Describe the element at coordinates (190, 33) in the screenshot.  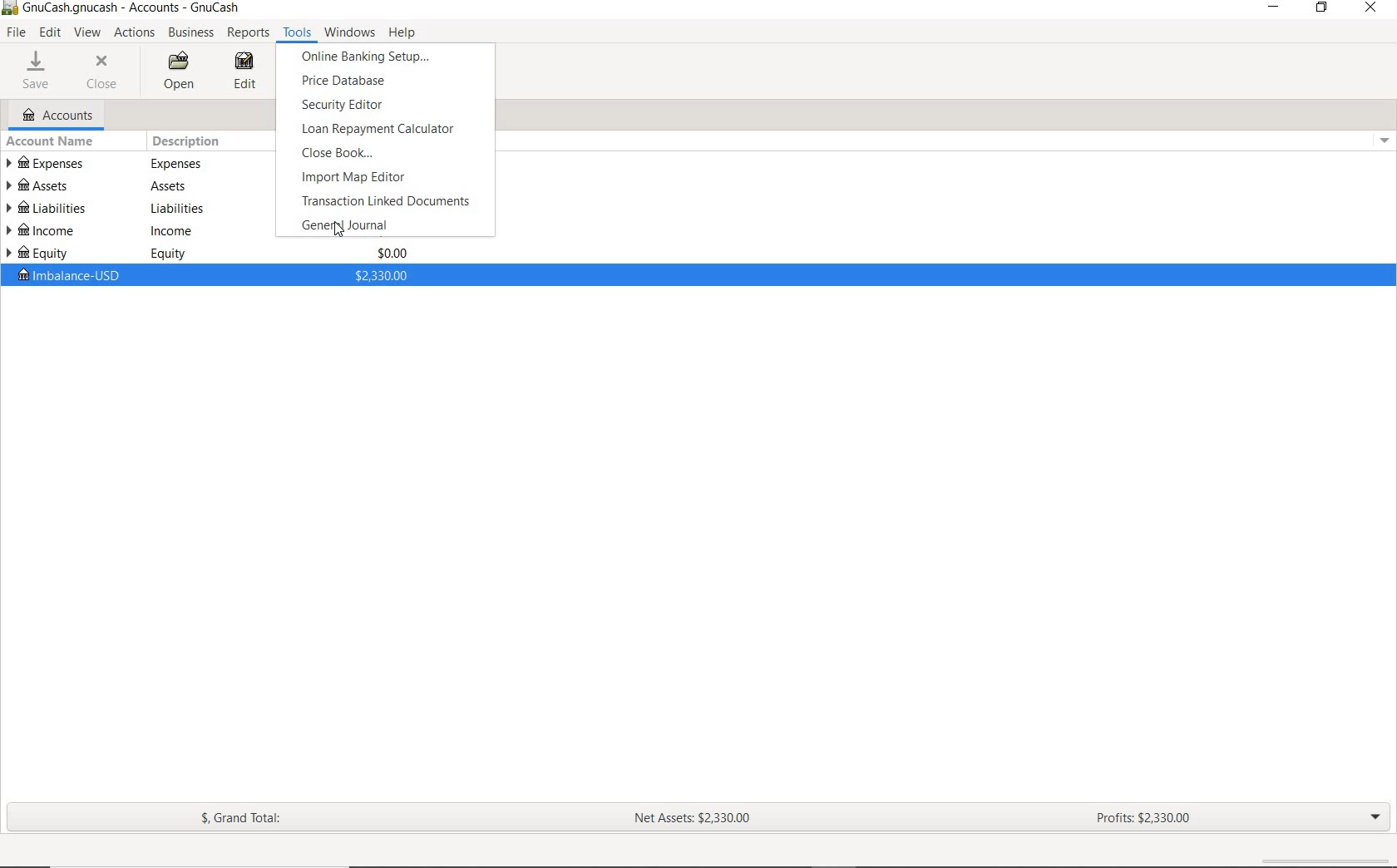
I see `BUSINESS` at that location.